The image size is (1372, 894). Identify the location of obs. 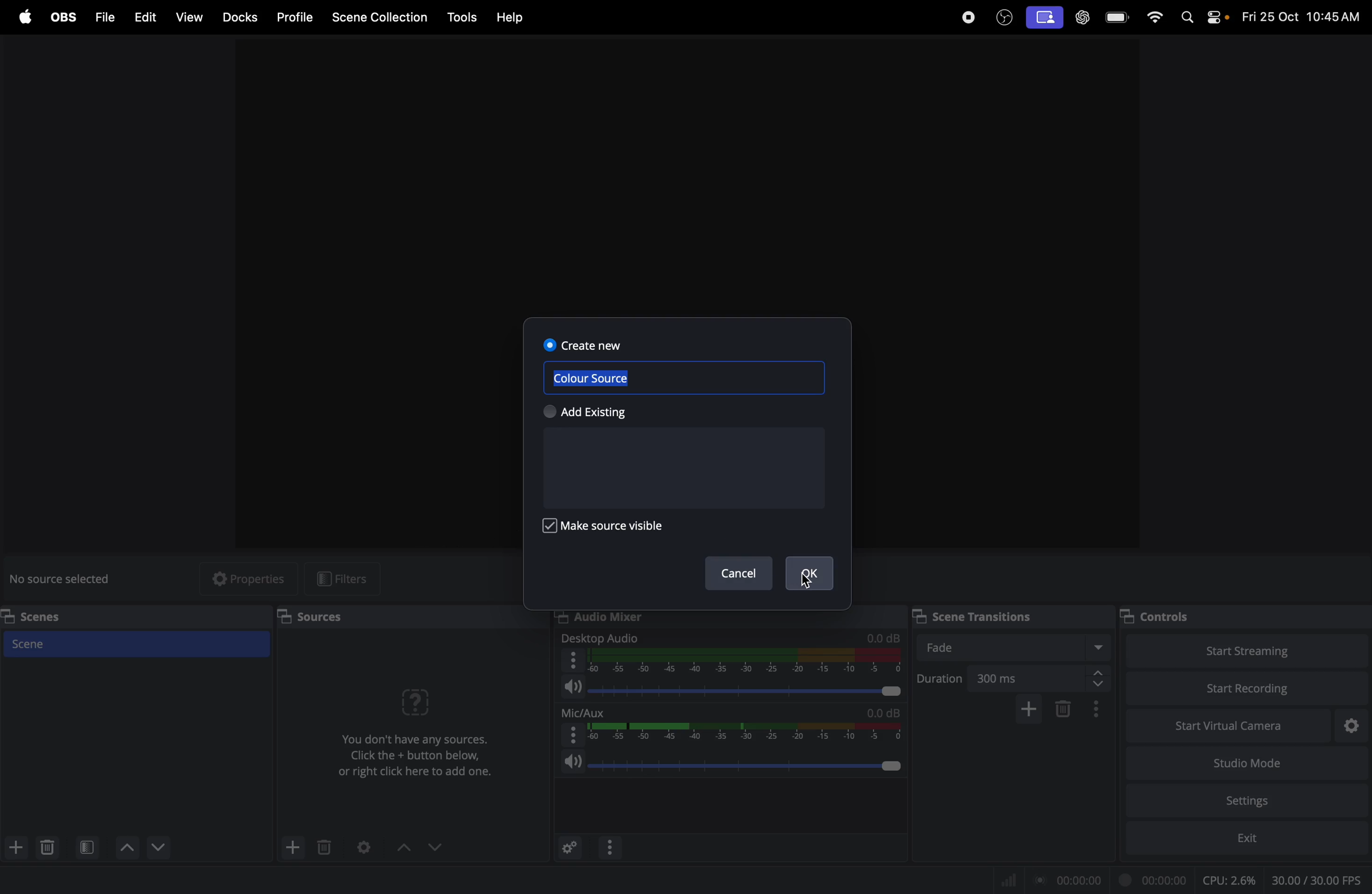
(1004, 16).